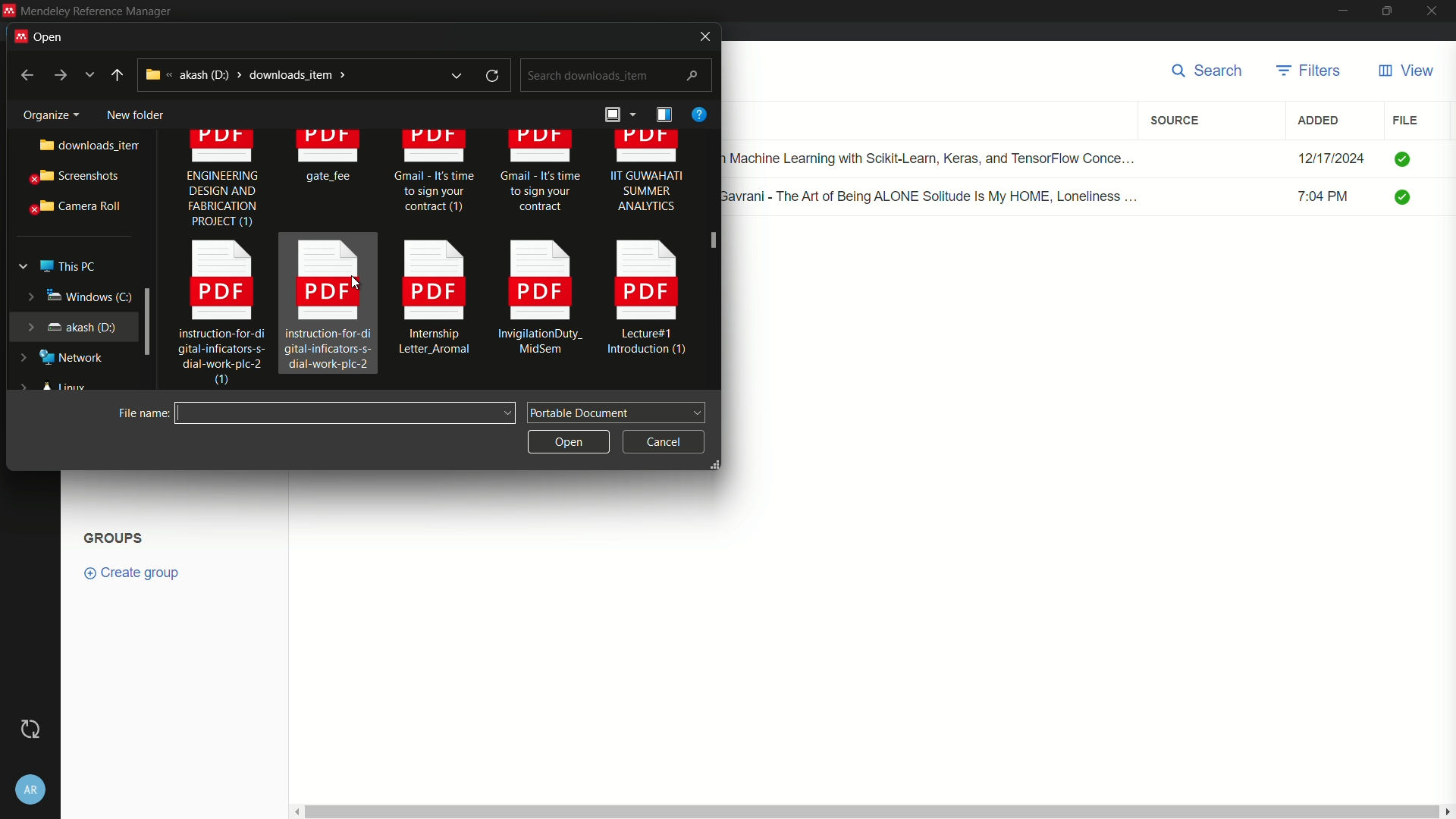 The width and height of the screenshot is (1456, 819). I want to click on portable document, so click(617, 411).